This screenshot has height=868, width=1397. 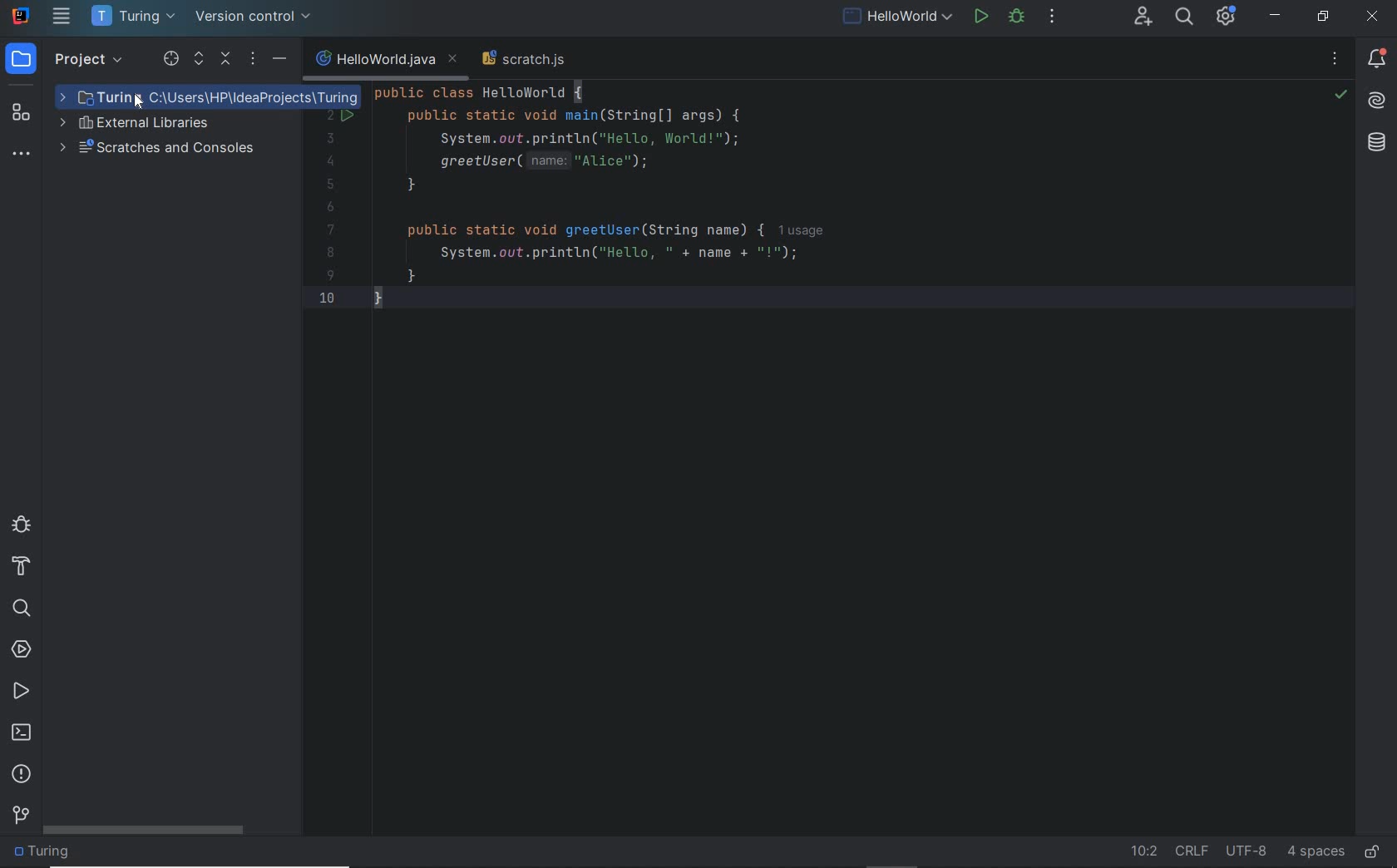 I want to click on scratch file, so click(x=526, y=57).